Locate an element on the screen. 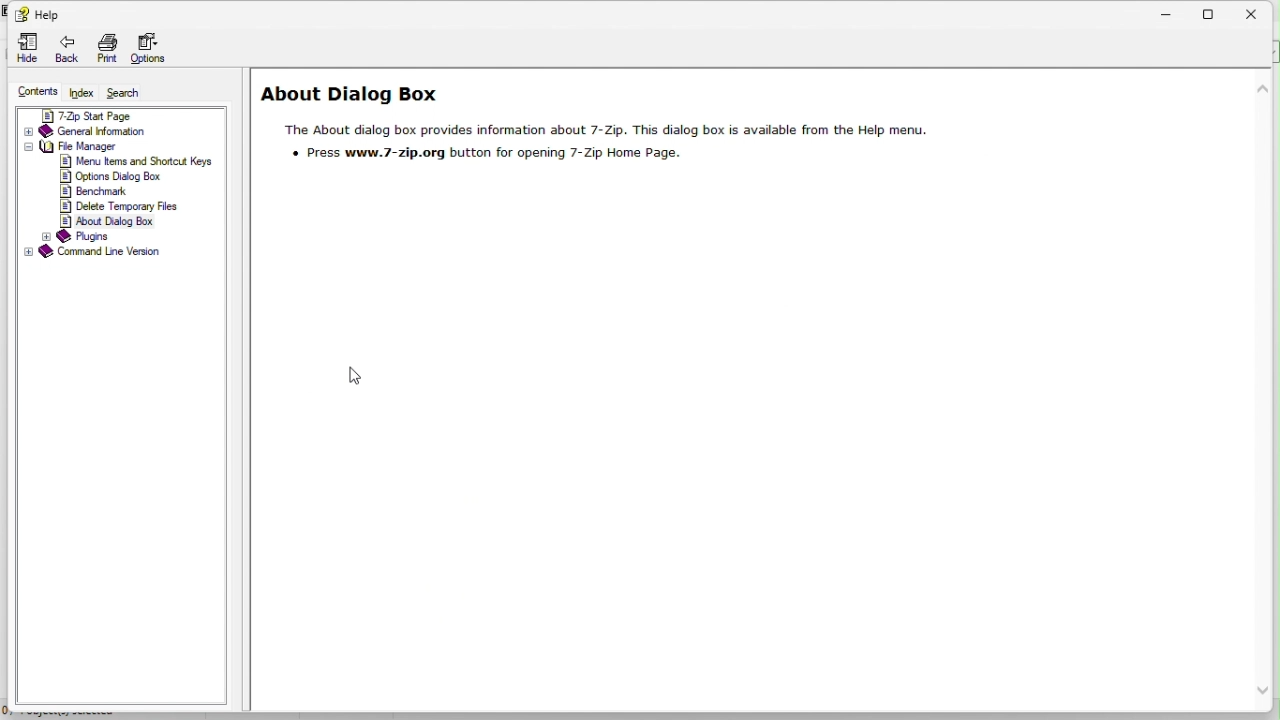 Image resolution: width=1280 pixels, height=720 pixels. Search is located at coordinates (131, 91).